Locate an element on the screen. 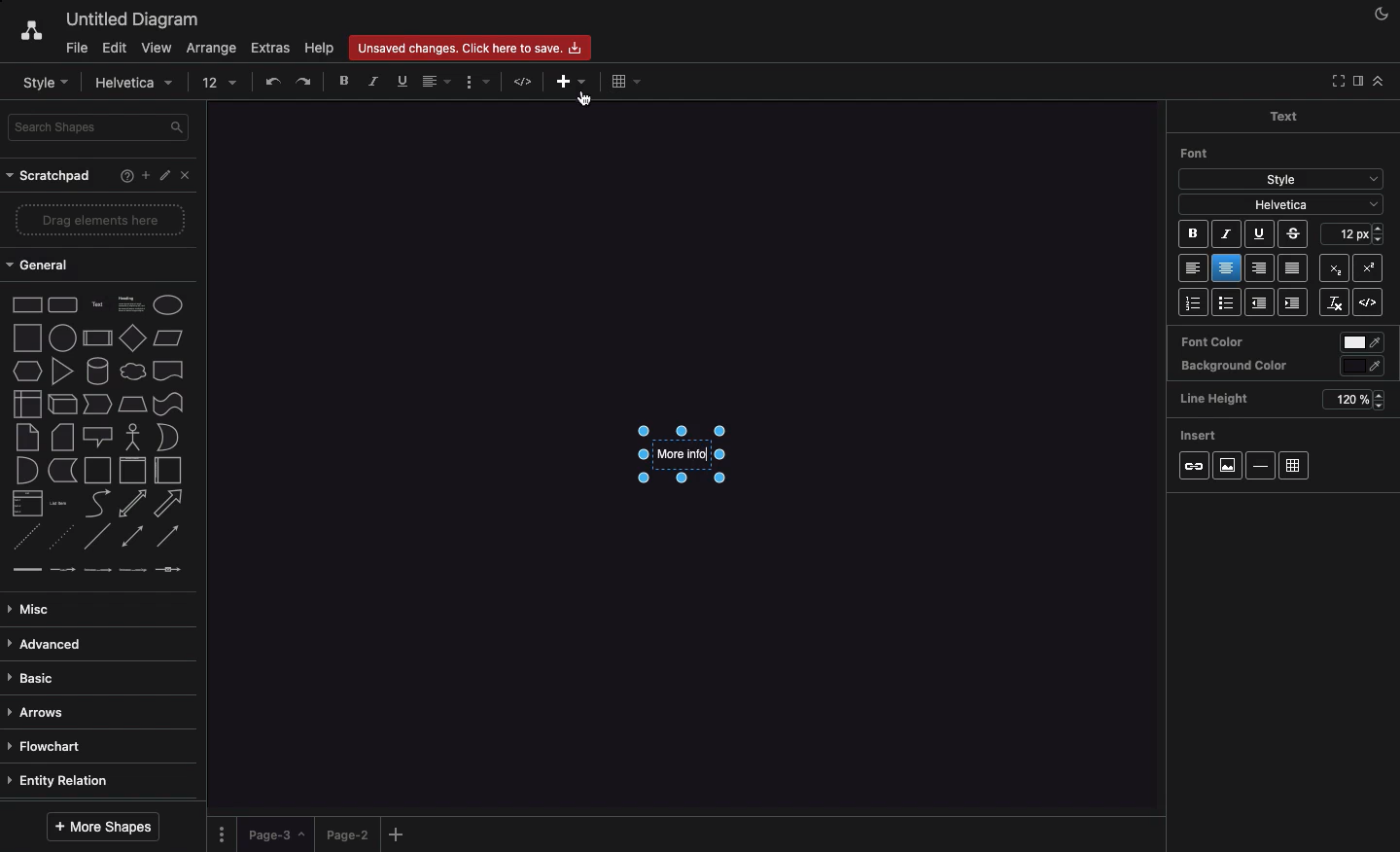 The image size is (1400, 852). Arrows is located at coordinates (40, 714).